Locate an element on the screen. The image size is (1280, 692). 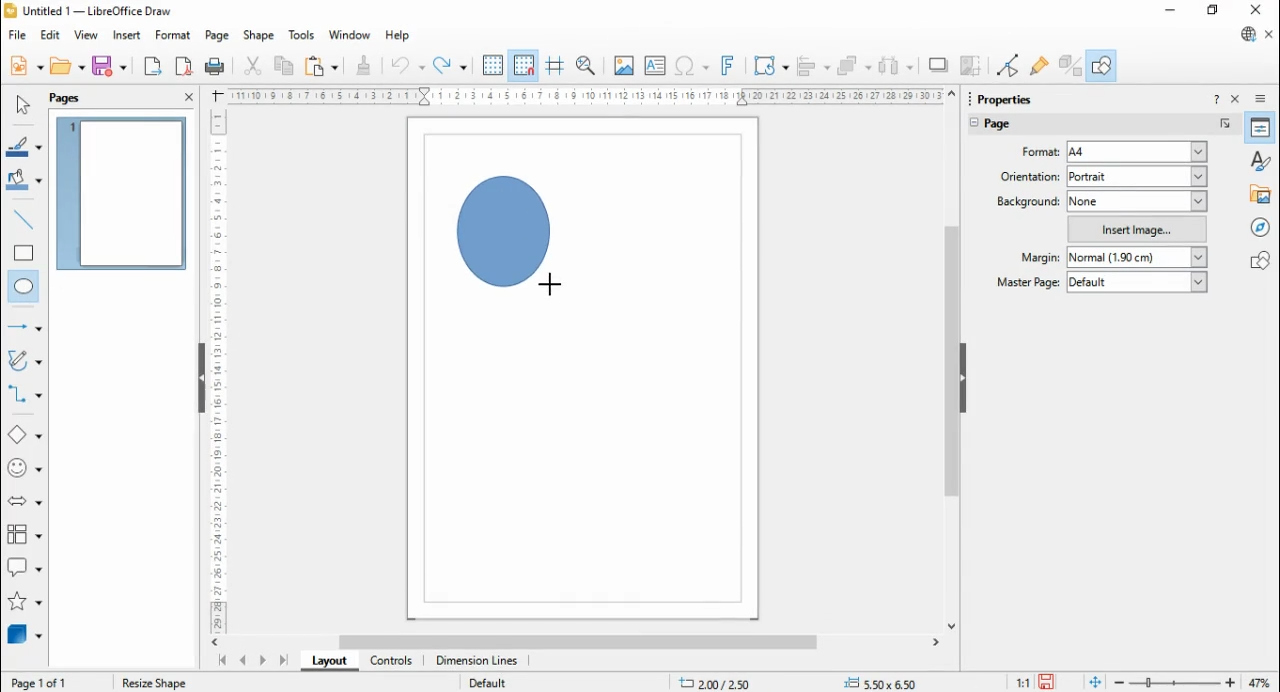
save is located at coordinates (1049, 682).